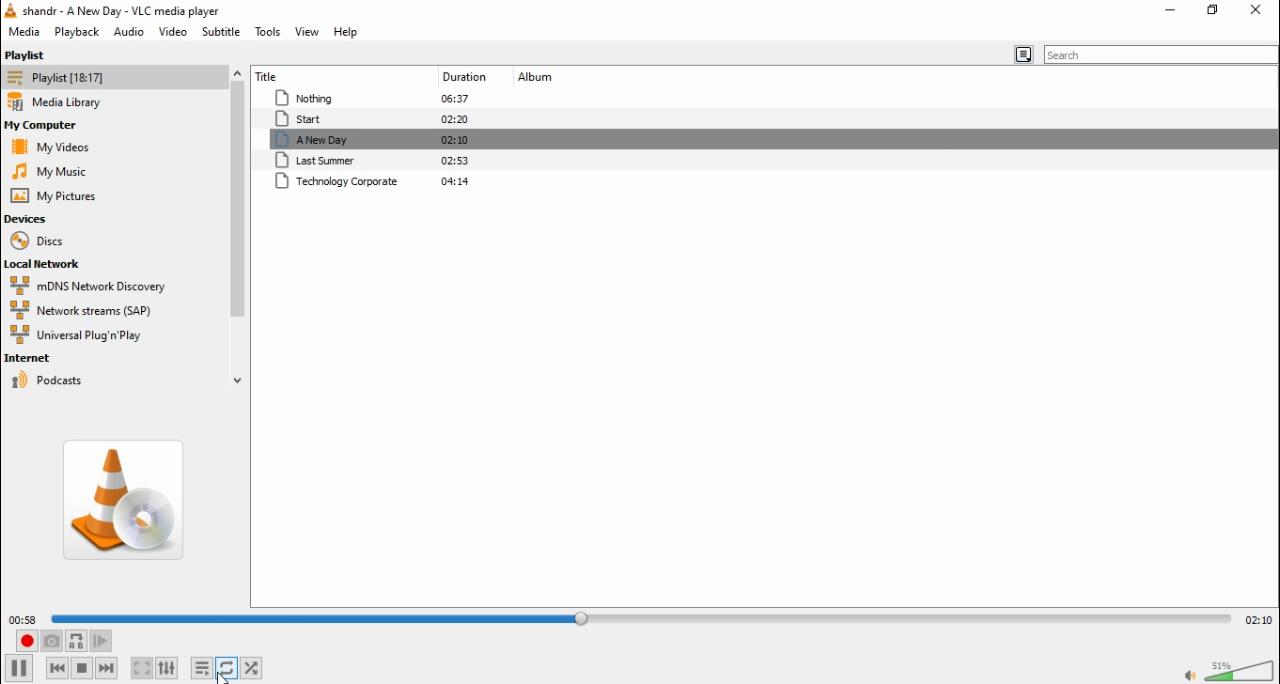  I want to click on search bar, so click(1162, 54).